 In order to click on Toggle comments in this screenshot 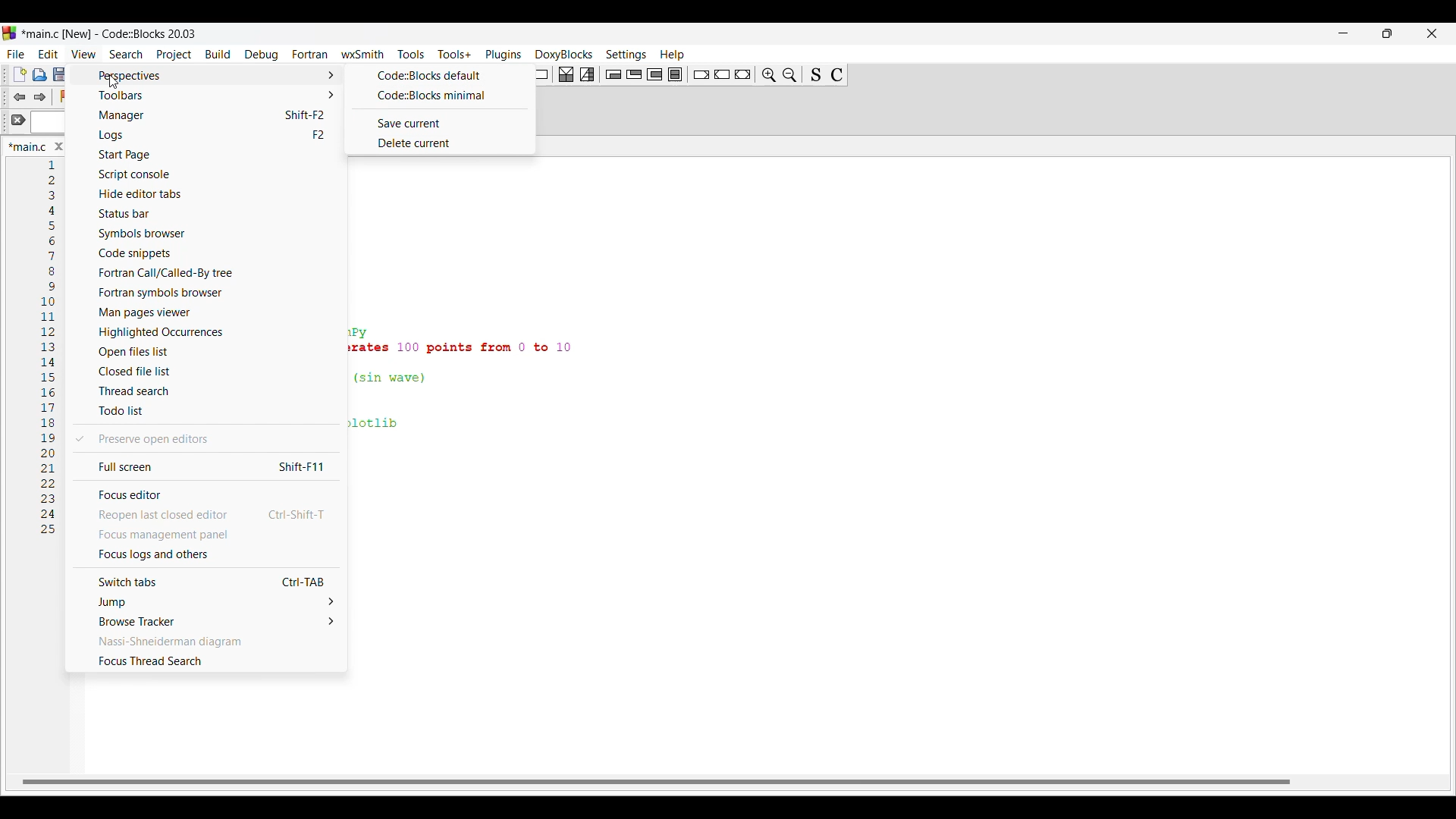, I will do `click(837, 75)`.